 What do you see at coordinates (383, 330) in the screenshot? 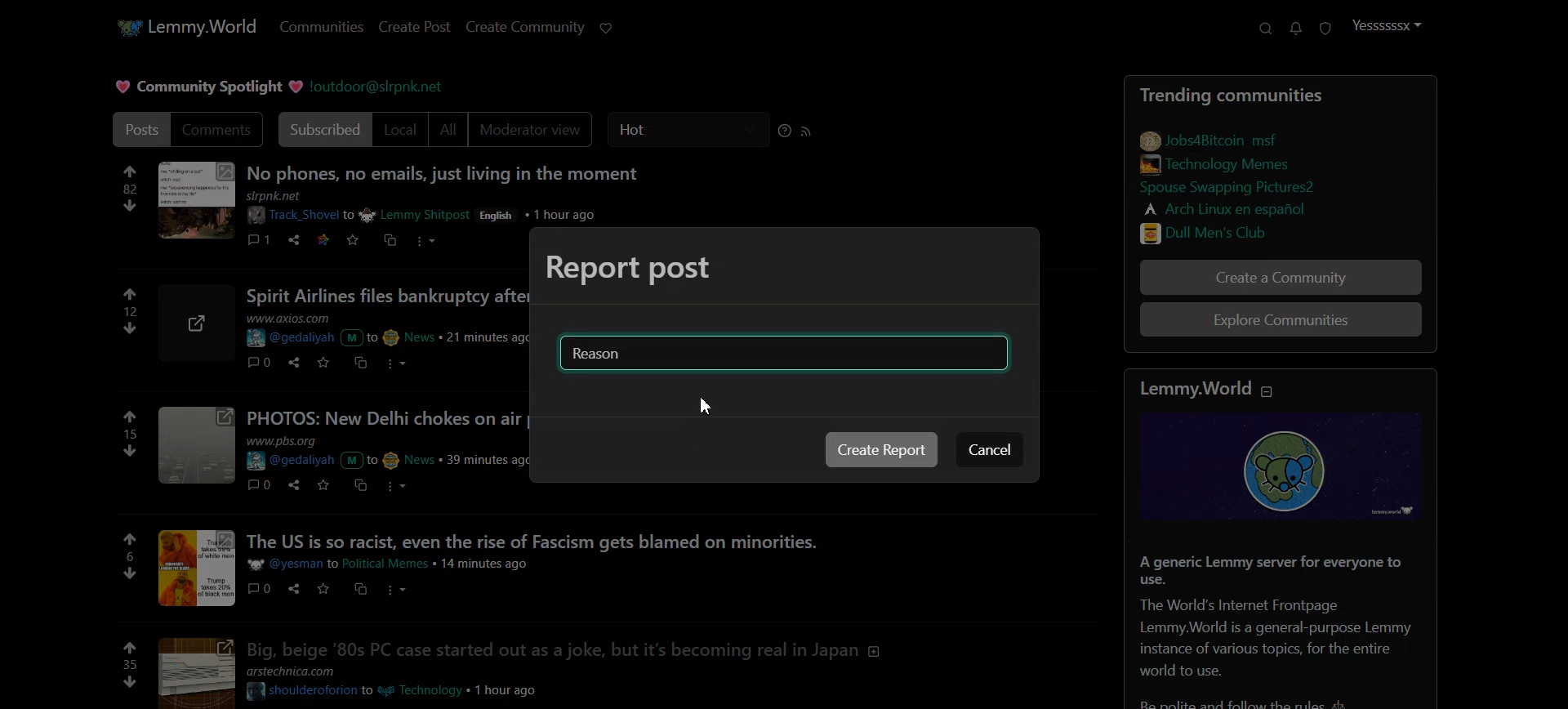
I see `post details` at bounding box center [383, 330].